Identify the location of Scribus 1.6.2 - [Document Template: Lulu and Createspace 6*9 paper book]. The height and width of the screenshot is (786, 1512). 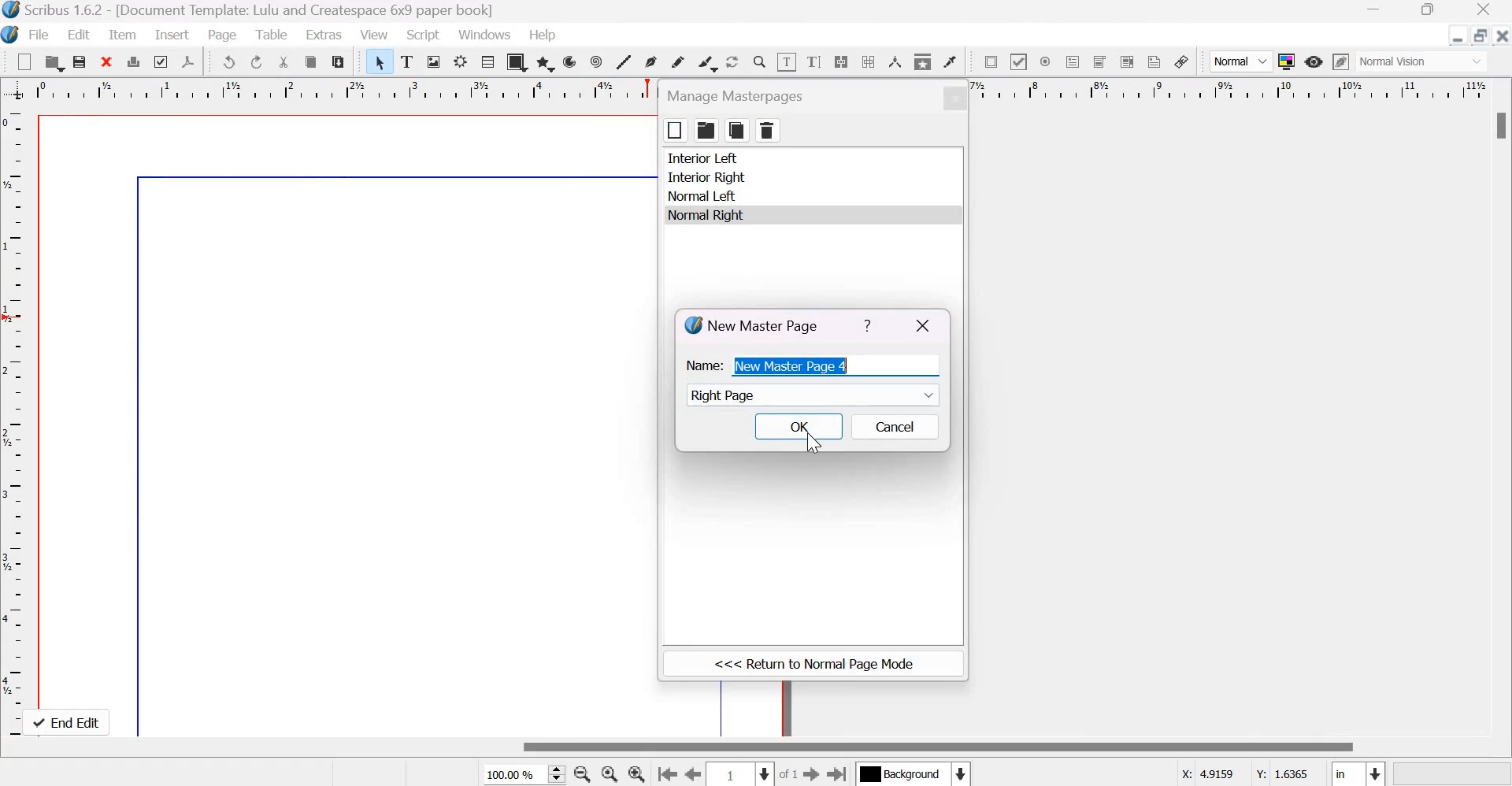
(250, 10).